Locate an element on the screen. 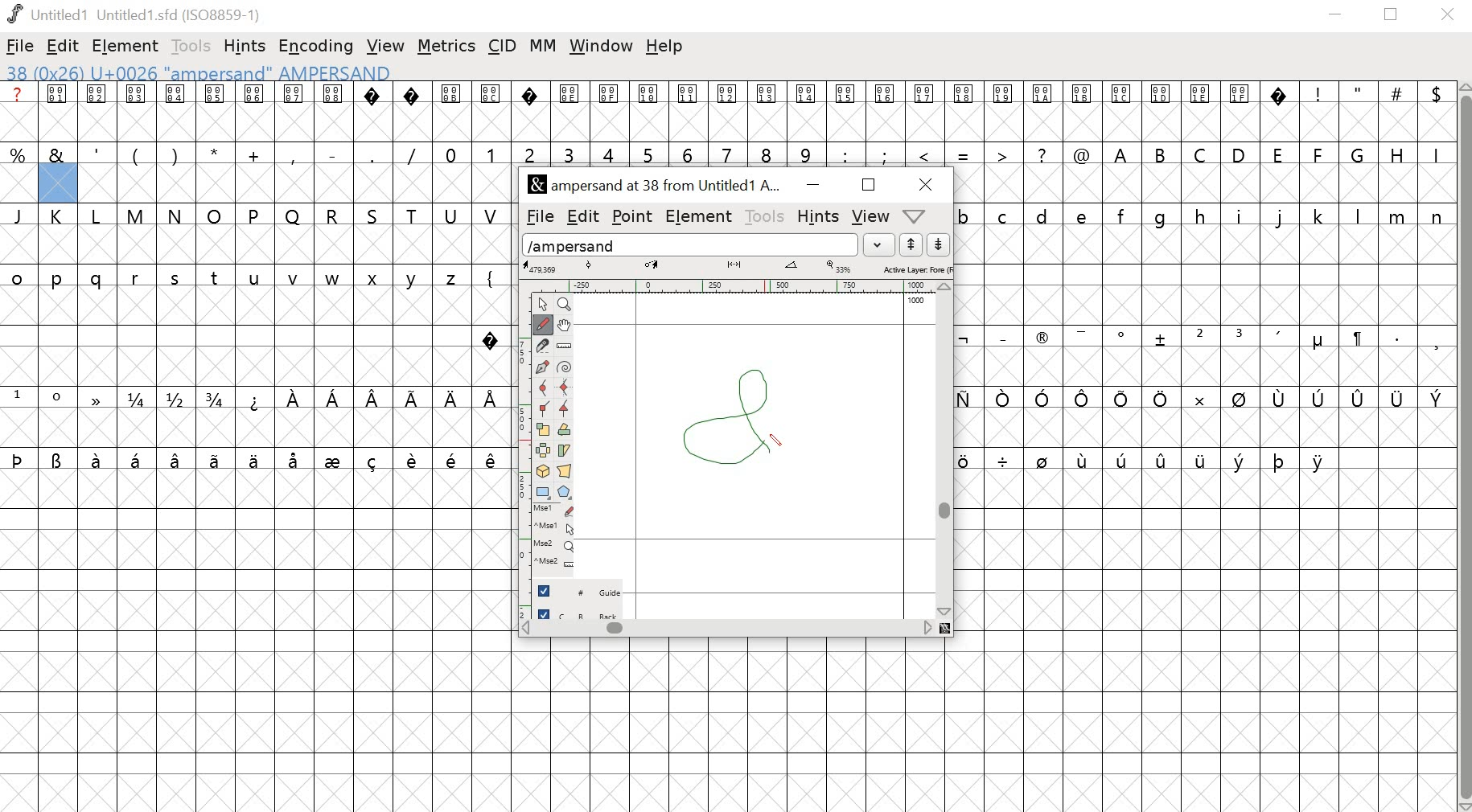 The width and height of the screenshot is (1472, 812). B is located at coordinates (1162, 154).